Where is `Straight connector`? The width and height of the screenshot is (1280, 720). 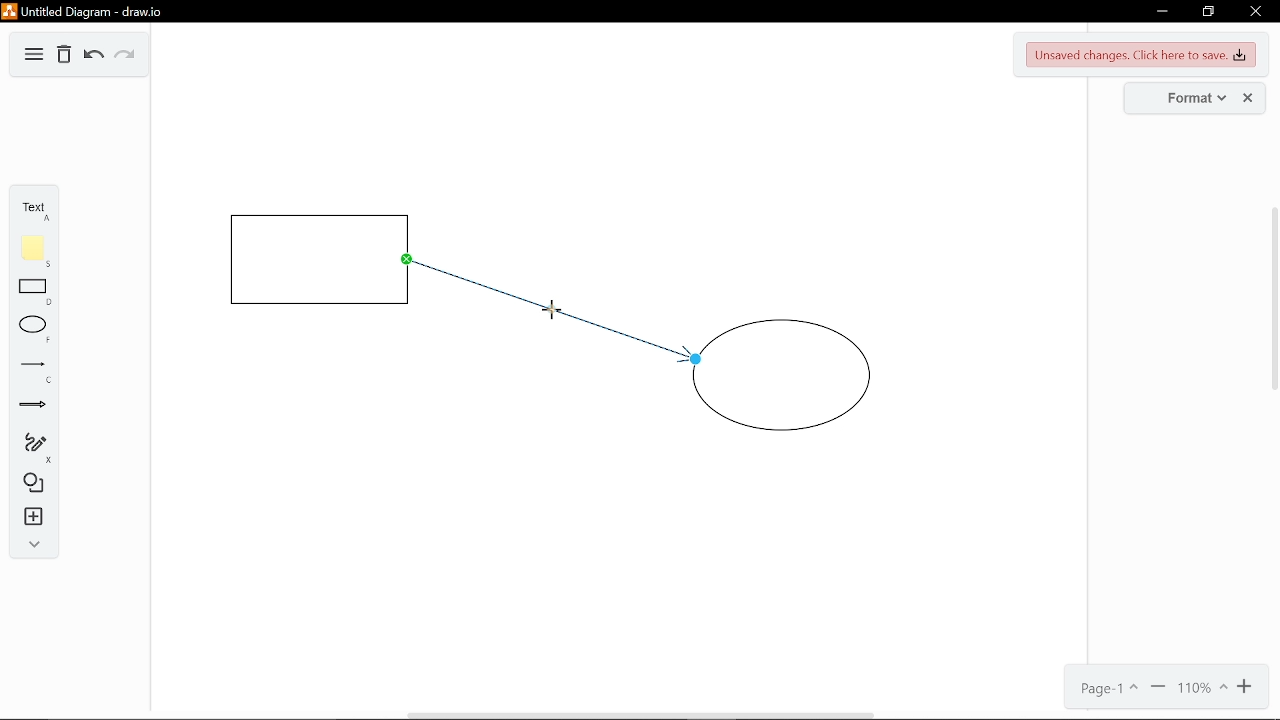
Straight connector is located at coordinates (551, 327).